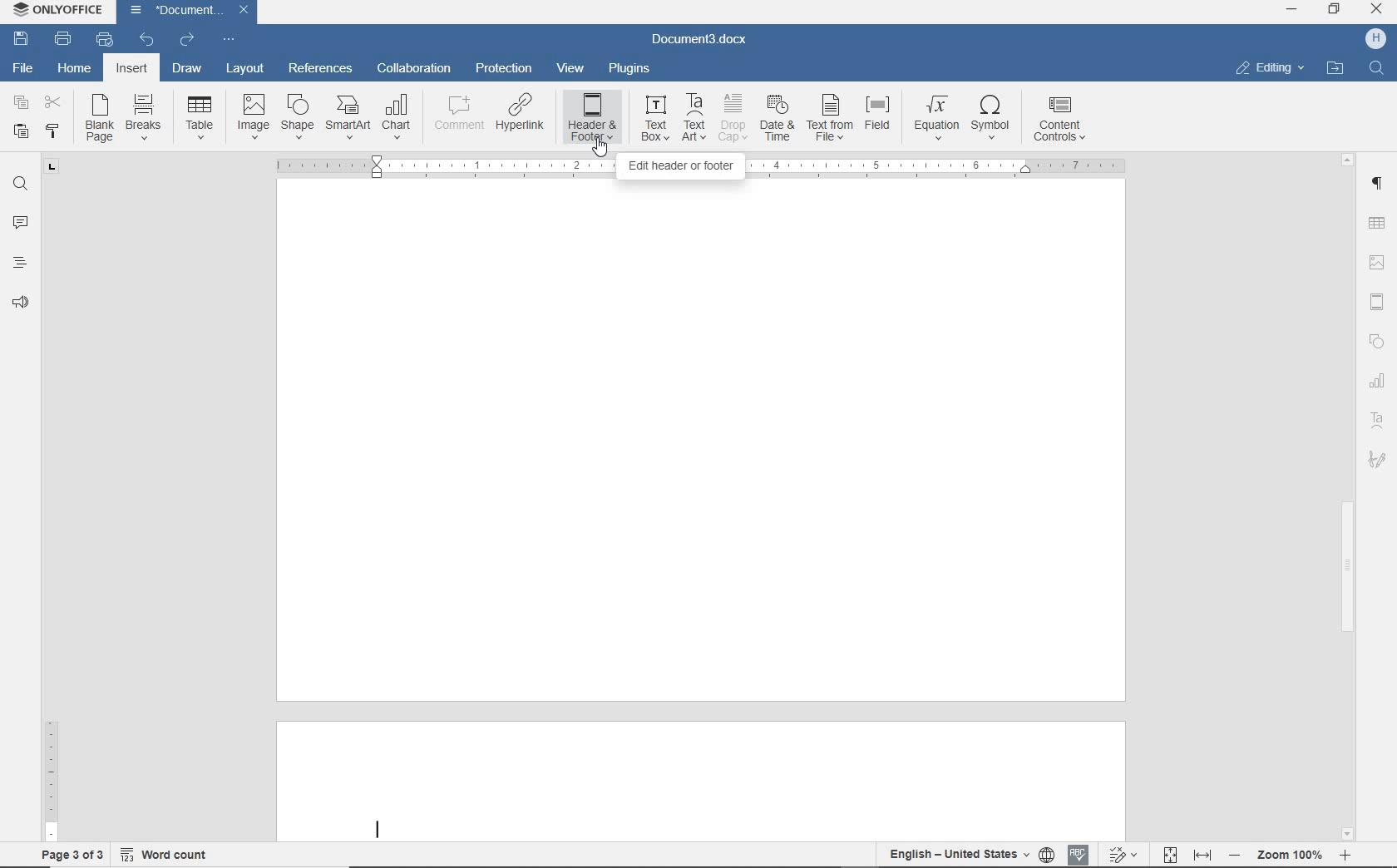 The width and height of the screenshot is (1397, 868). I want to click on CHART, so click(398, 117).